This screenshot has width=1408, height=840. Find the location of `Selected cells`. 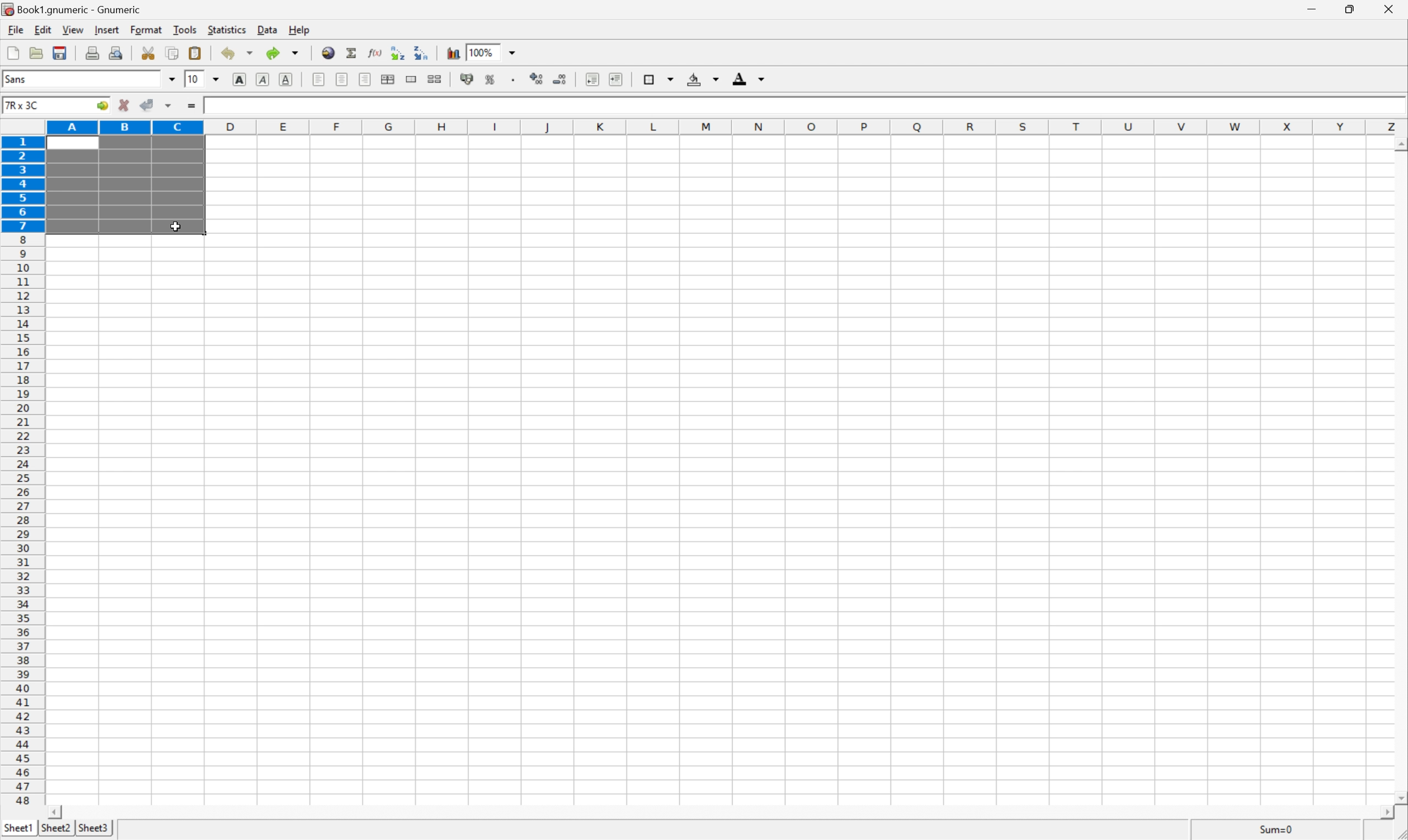

Selected cells is located at coordinates (124, 186).